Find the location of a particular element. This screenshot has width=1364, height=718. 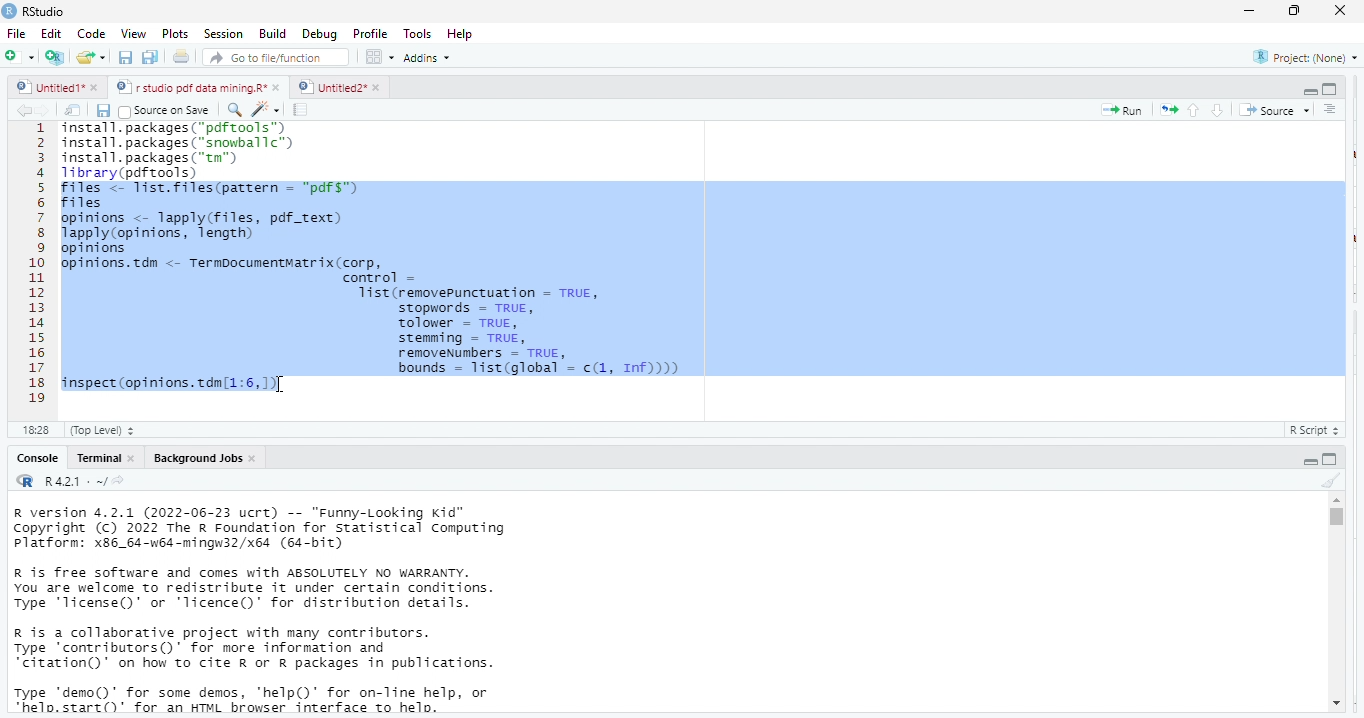

show document outline is located at coordinates (1332, 110).